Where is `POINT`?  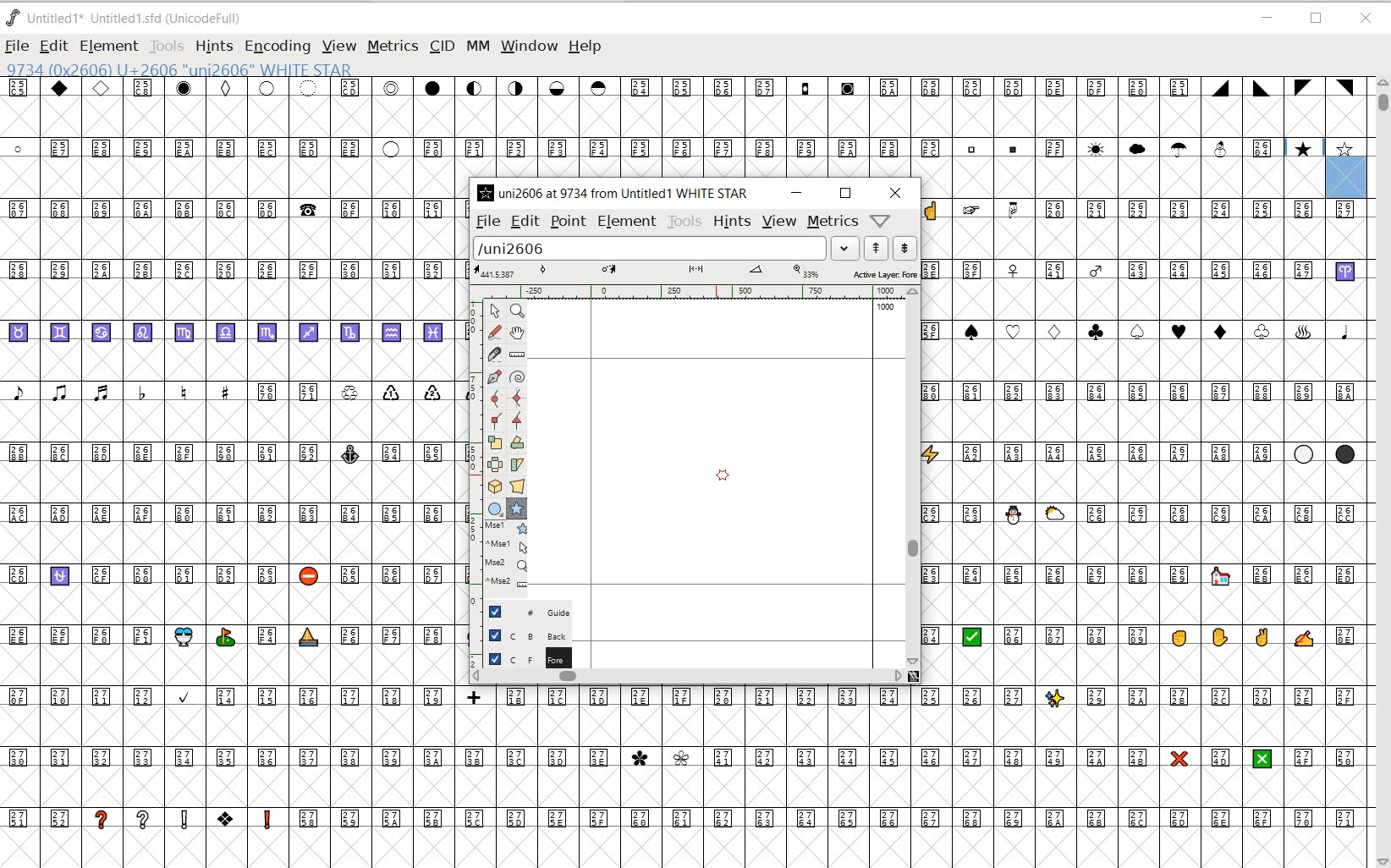
POINT is located at coordinates (568, 222).